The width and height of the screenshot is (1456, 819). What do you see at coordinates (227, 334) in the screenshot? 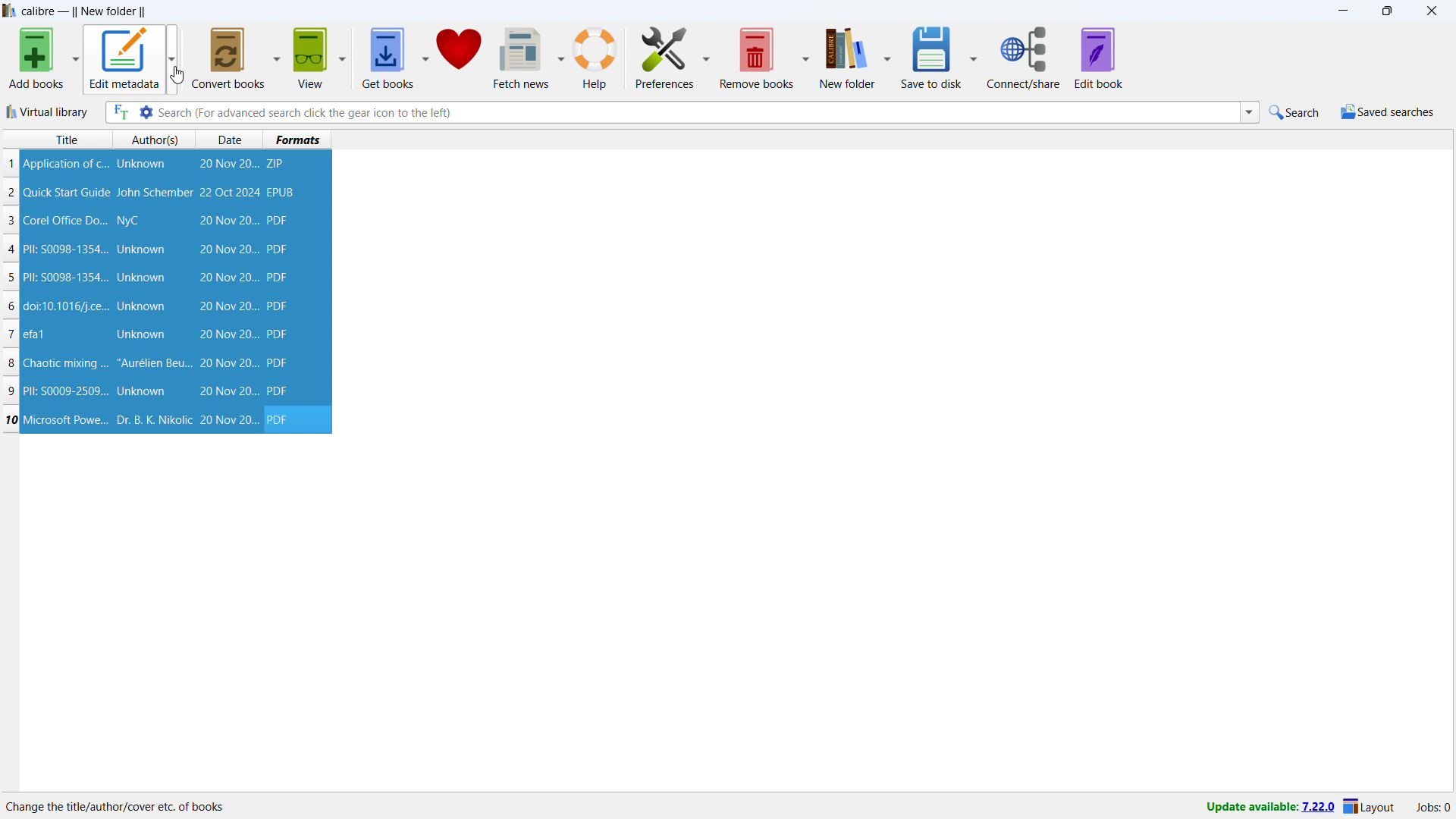
I see `20 Nov 20...` at bounding box center [227, 334].